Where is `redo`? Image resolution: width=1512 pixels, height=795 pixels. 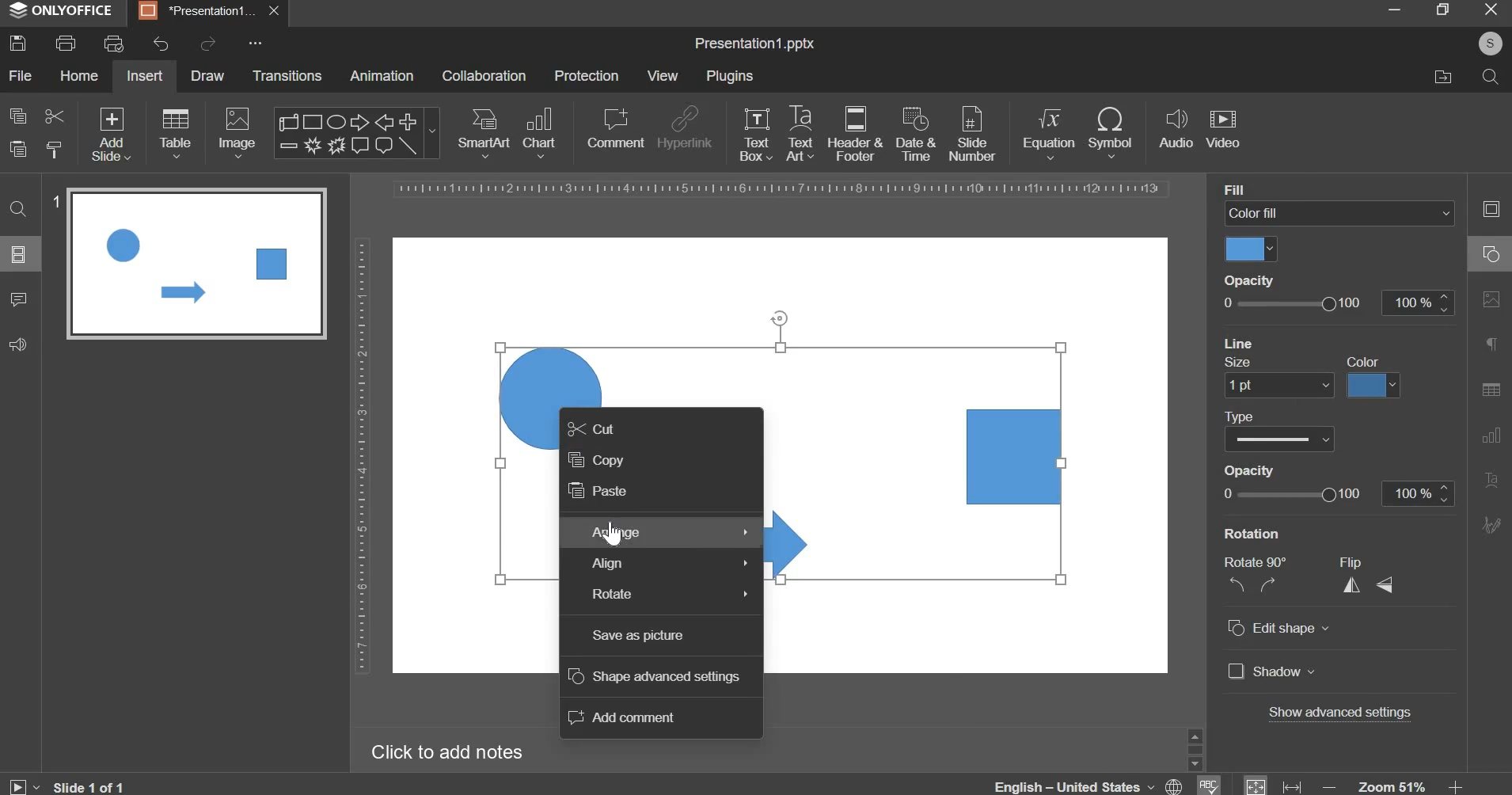 redo is located at coordinates (206, 44).